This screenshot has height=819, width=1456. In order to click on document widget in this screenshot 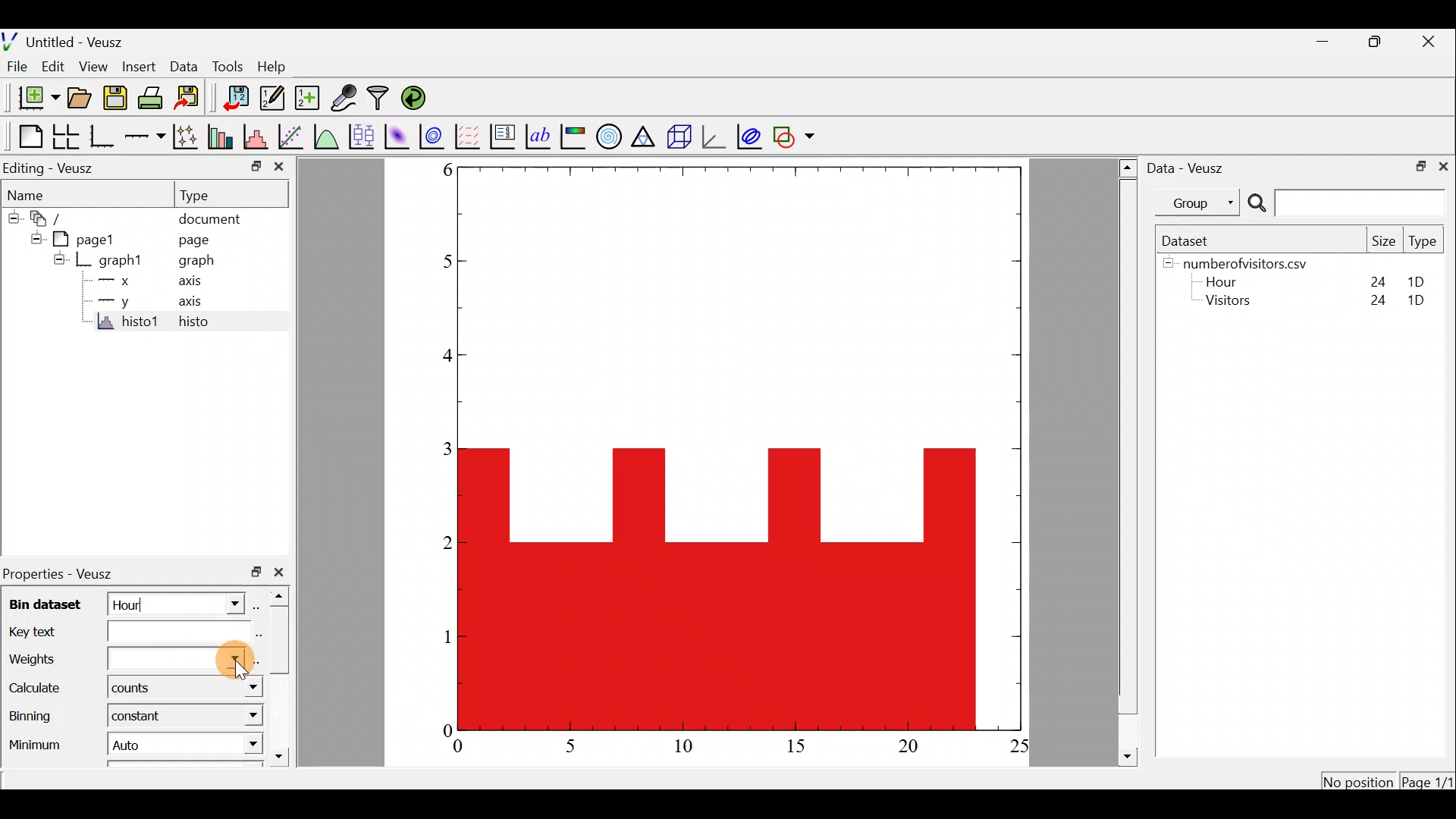, I will do `click(49, 218)`.